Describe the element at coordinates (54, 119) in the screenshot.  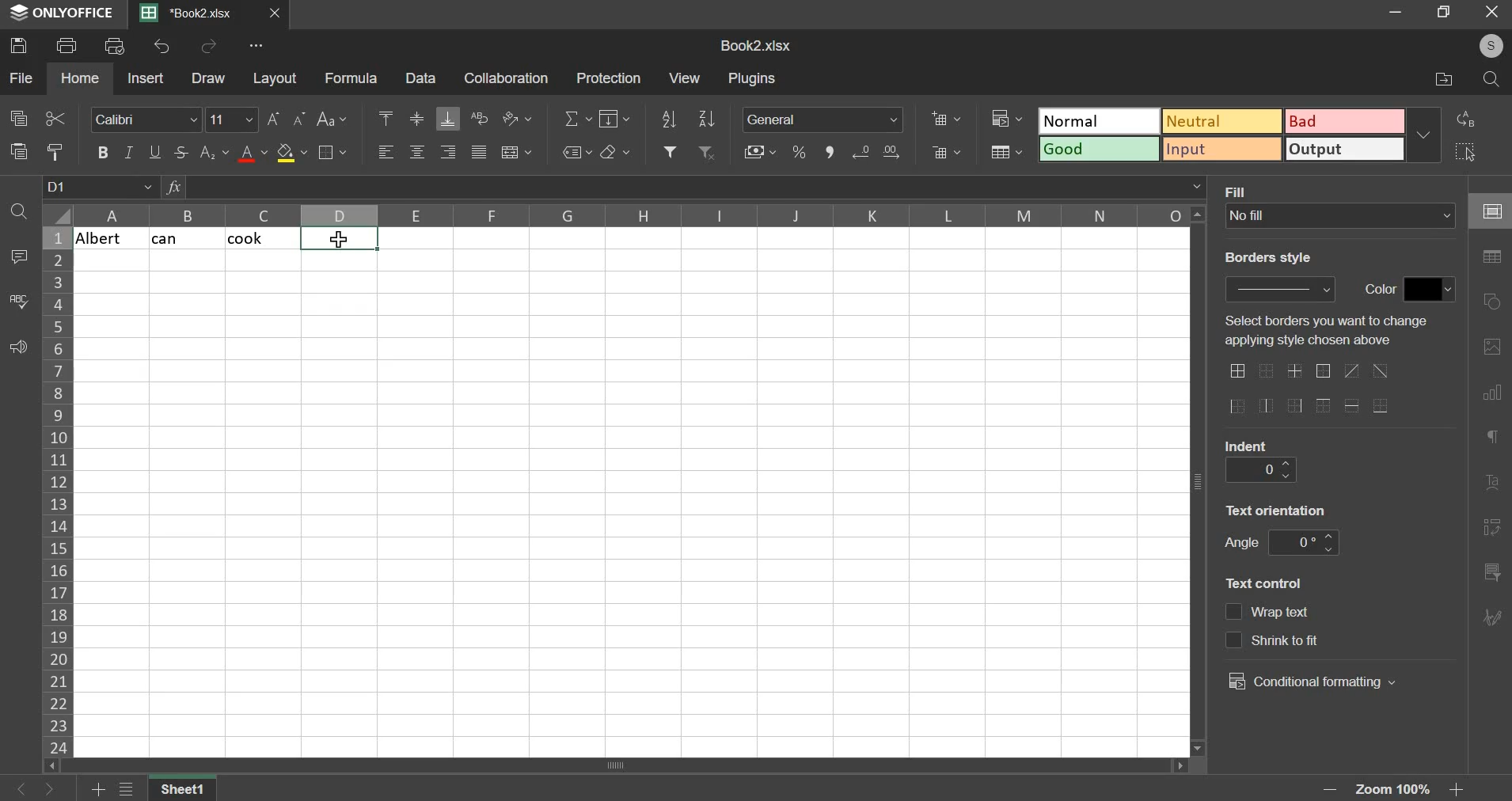
I see `cut` at that location.